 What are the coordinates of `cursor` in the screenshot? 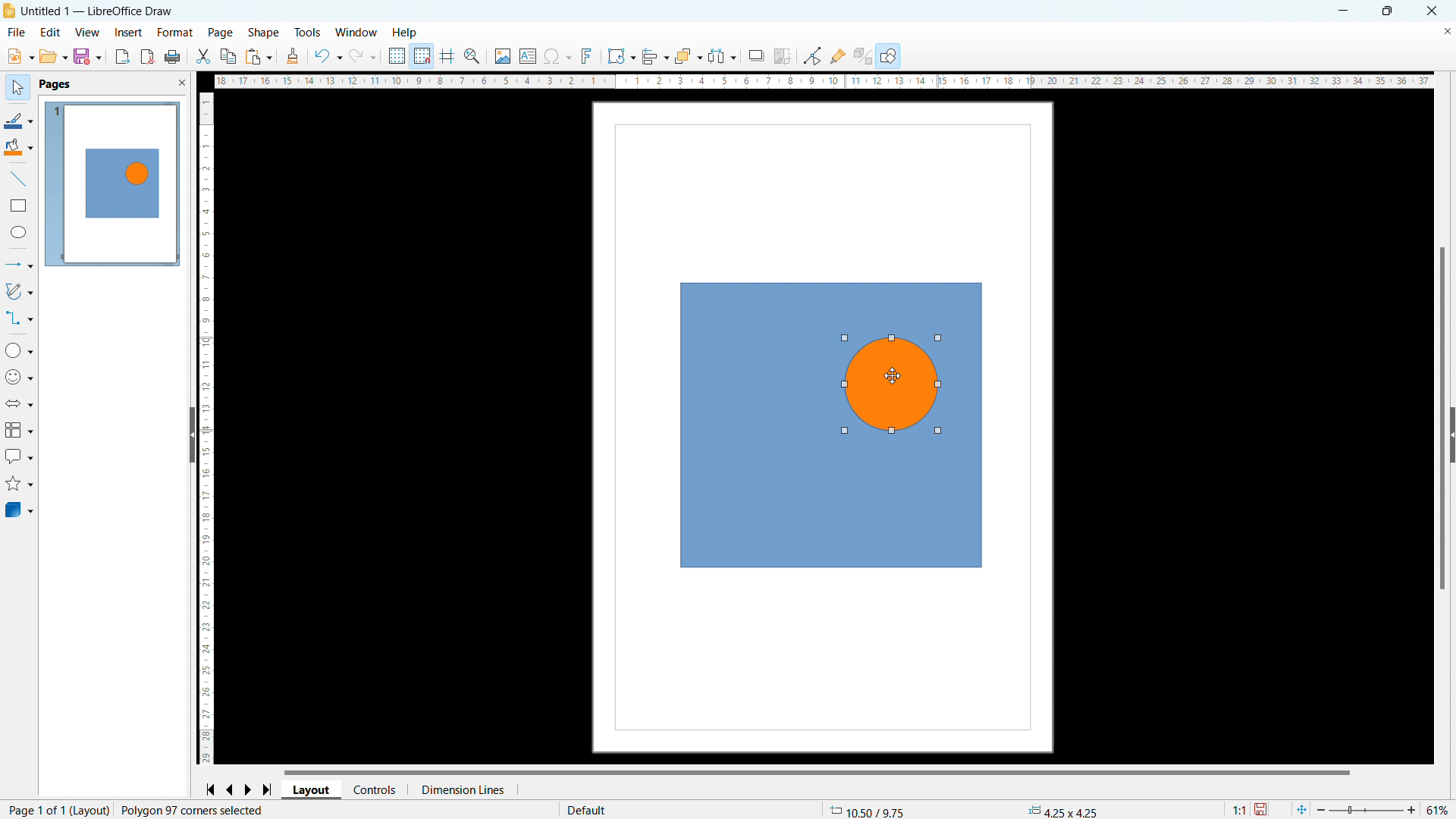 It's located at (899, 380).